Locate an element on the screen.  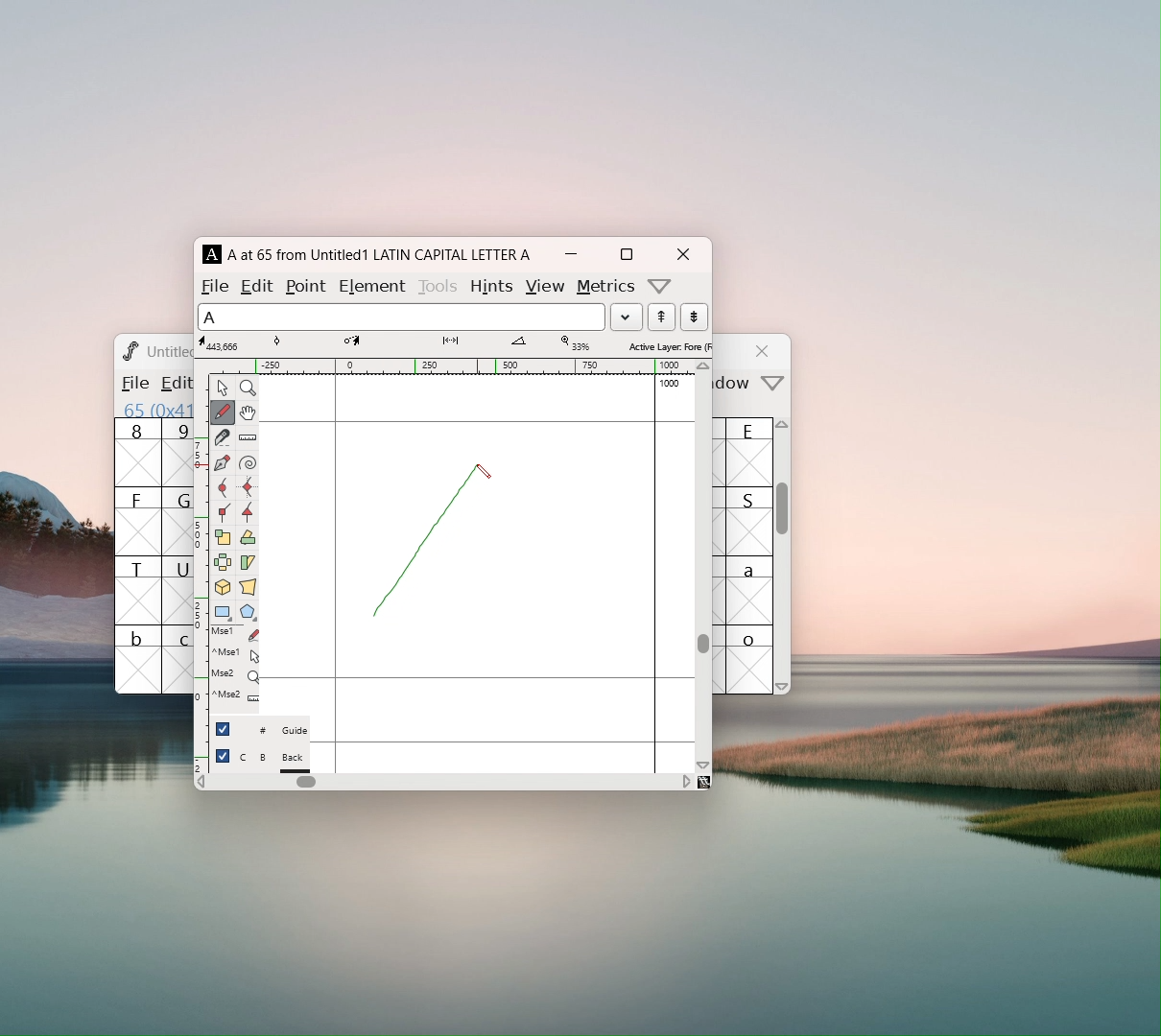
view is located at coordinates (544, 287).